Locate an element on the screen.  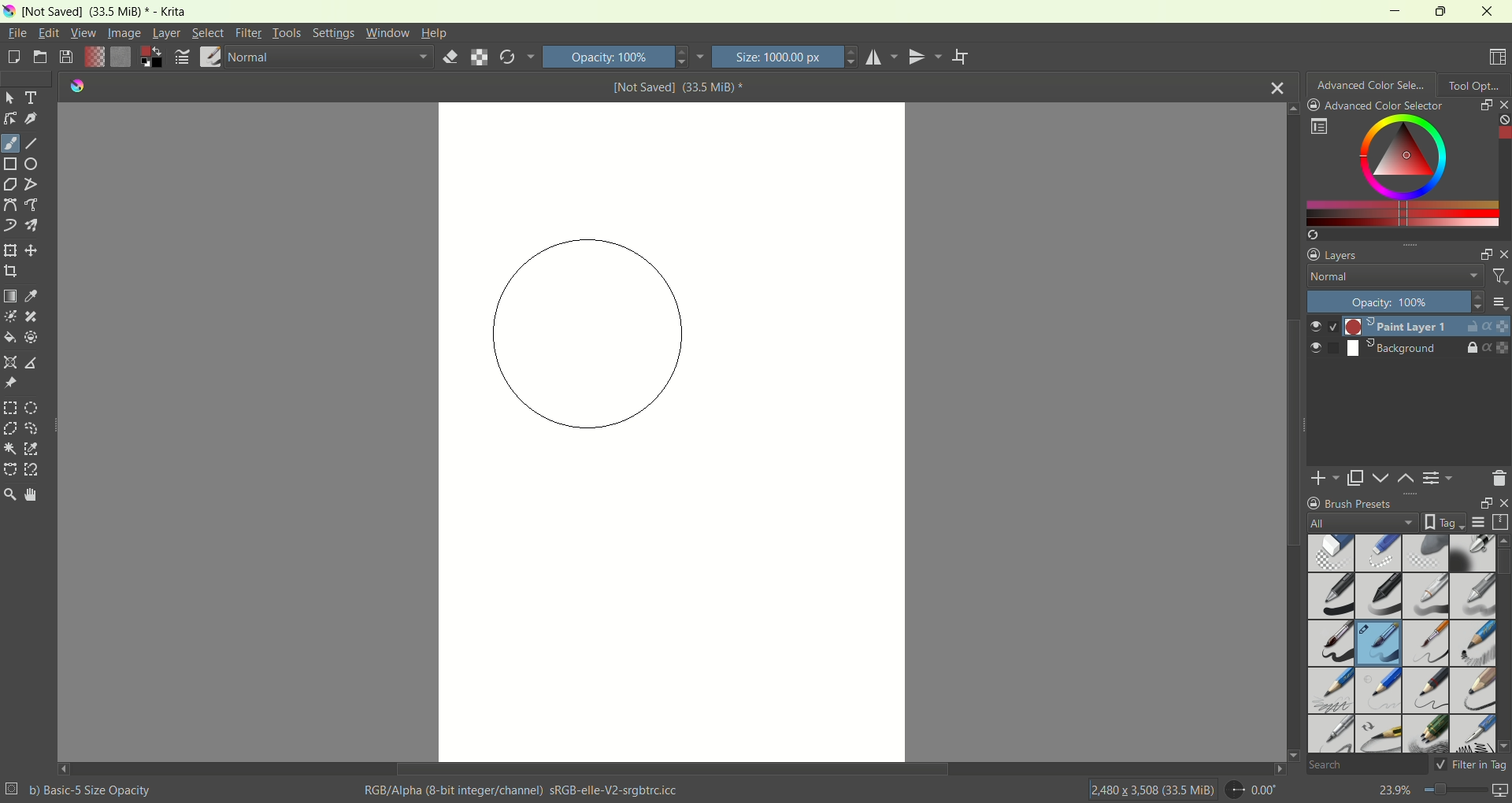
edit shapes is located at coordinates (10, 119).